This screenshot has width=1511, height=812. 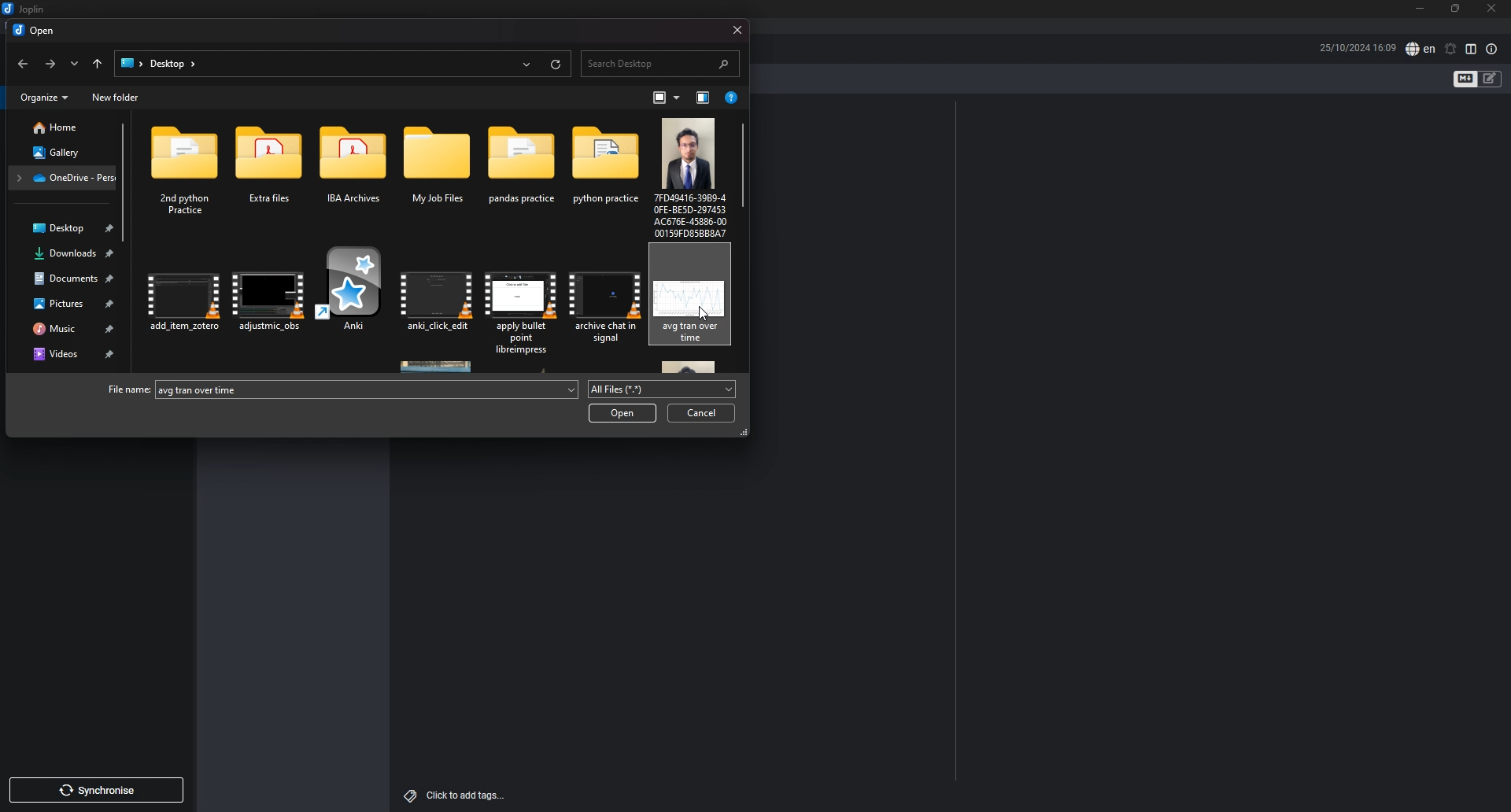 What do you see at coordinates (66, 327) in the screenshot?
I see `music` at bounding box center [66, 327].